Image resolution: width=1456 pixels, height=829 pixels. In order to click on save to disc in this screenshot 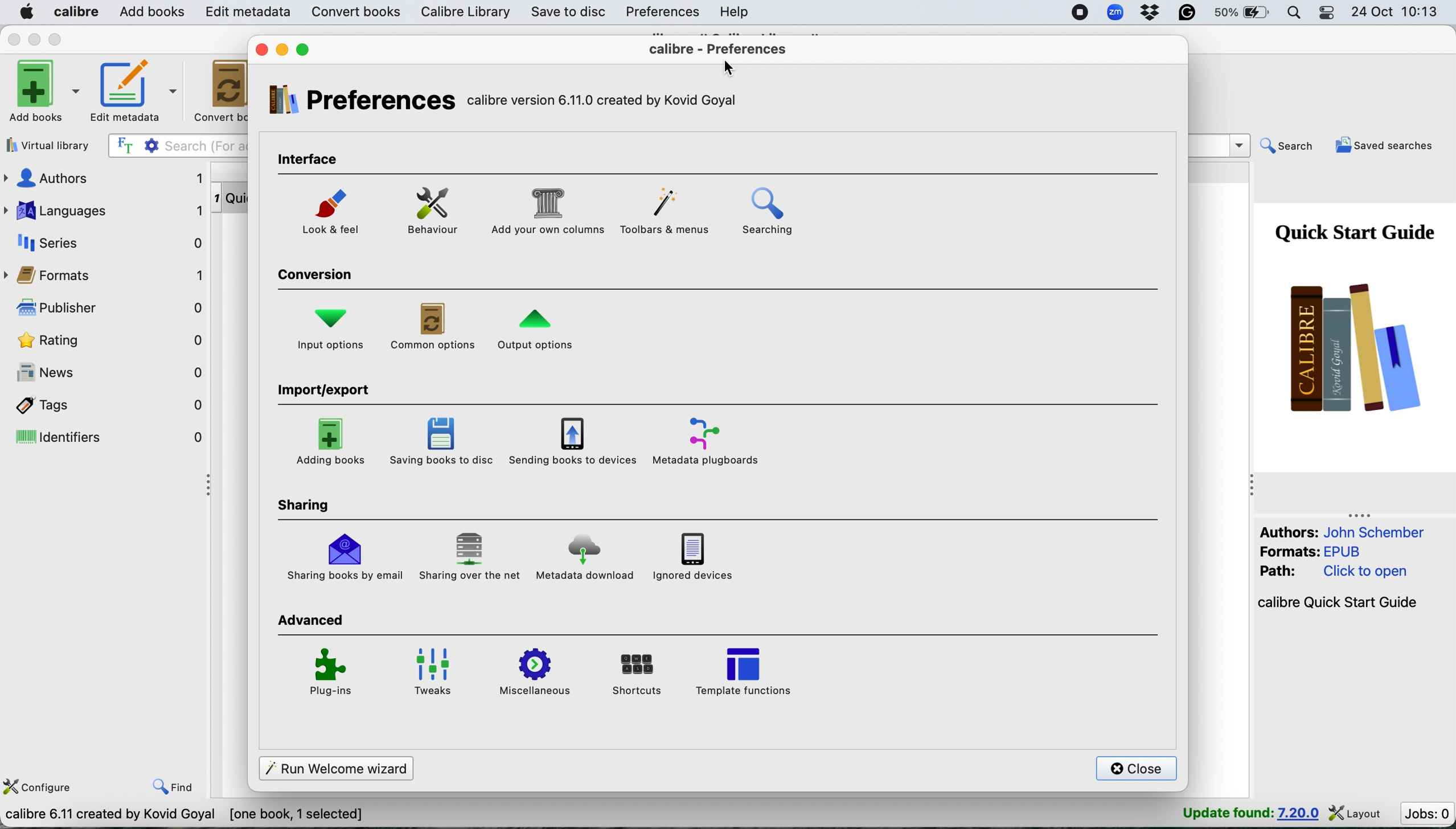, I will do `click(566, 13)`.